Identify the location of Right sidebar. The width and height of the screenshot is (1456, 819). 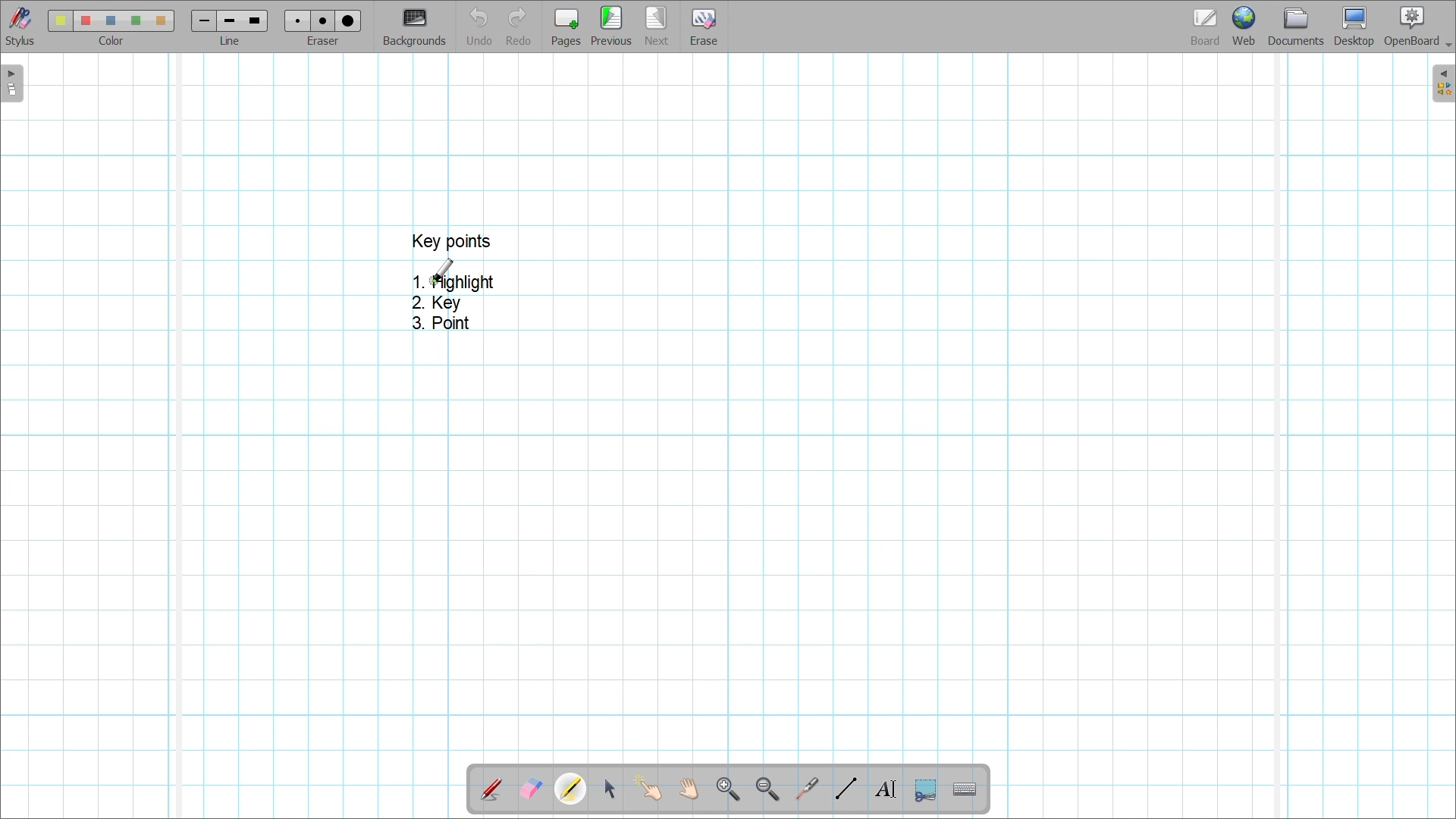
(1443, 83).